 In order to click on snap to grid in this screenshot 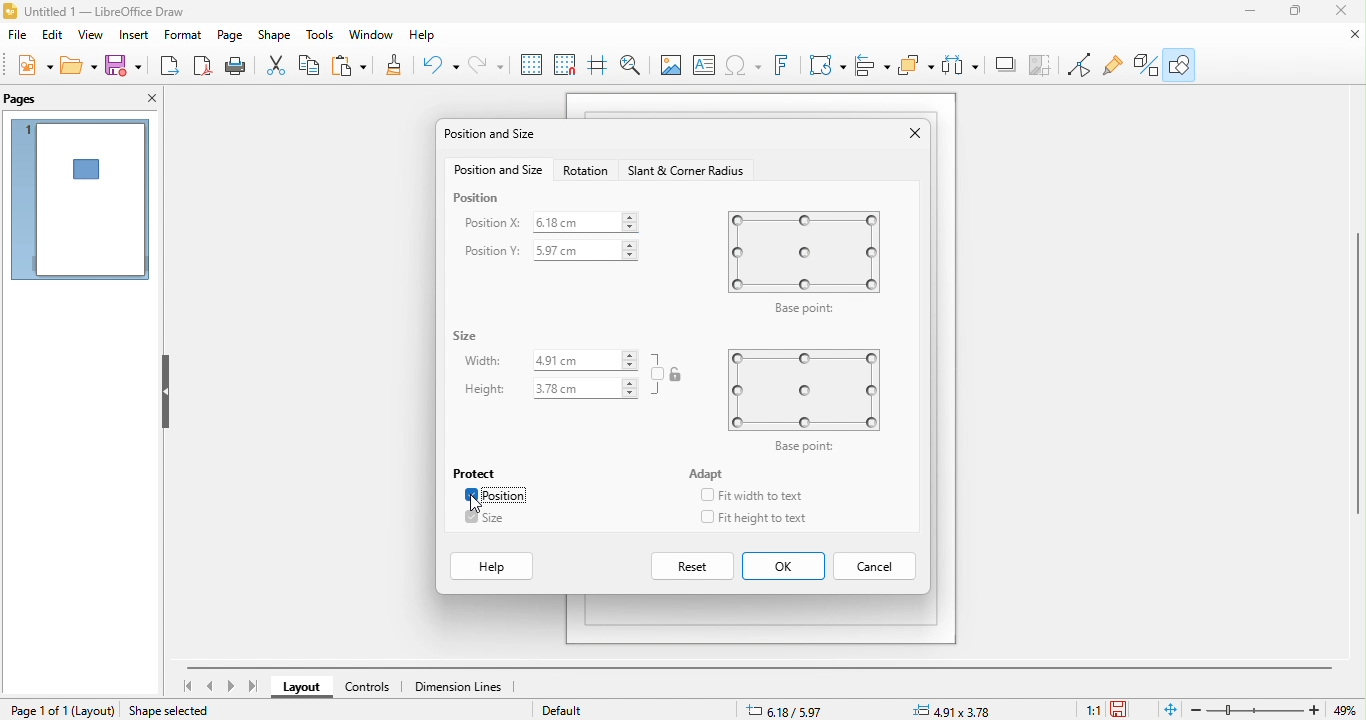, I will do `click(569, 66)`.